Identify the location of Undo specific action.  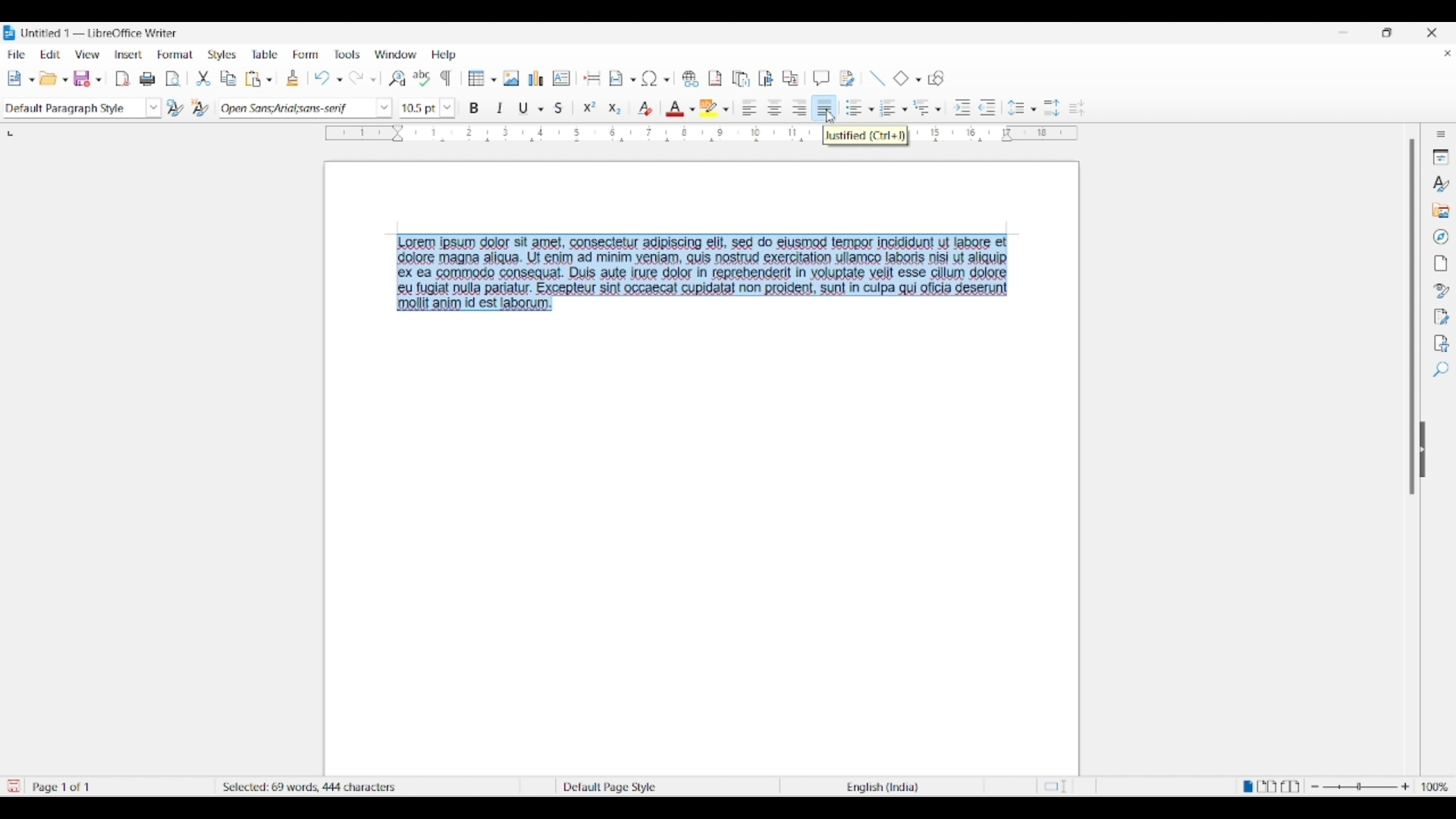
(339, 80).